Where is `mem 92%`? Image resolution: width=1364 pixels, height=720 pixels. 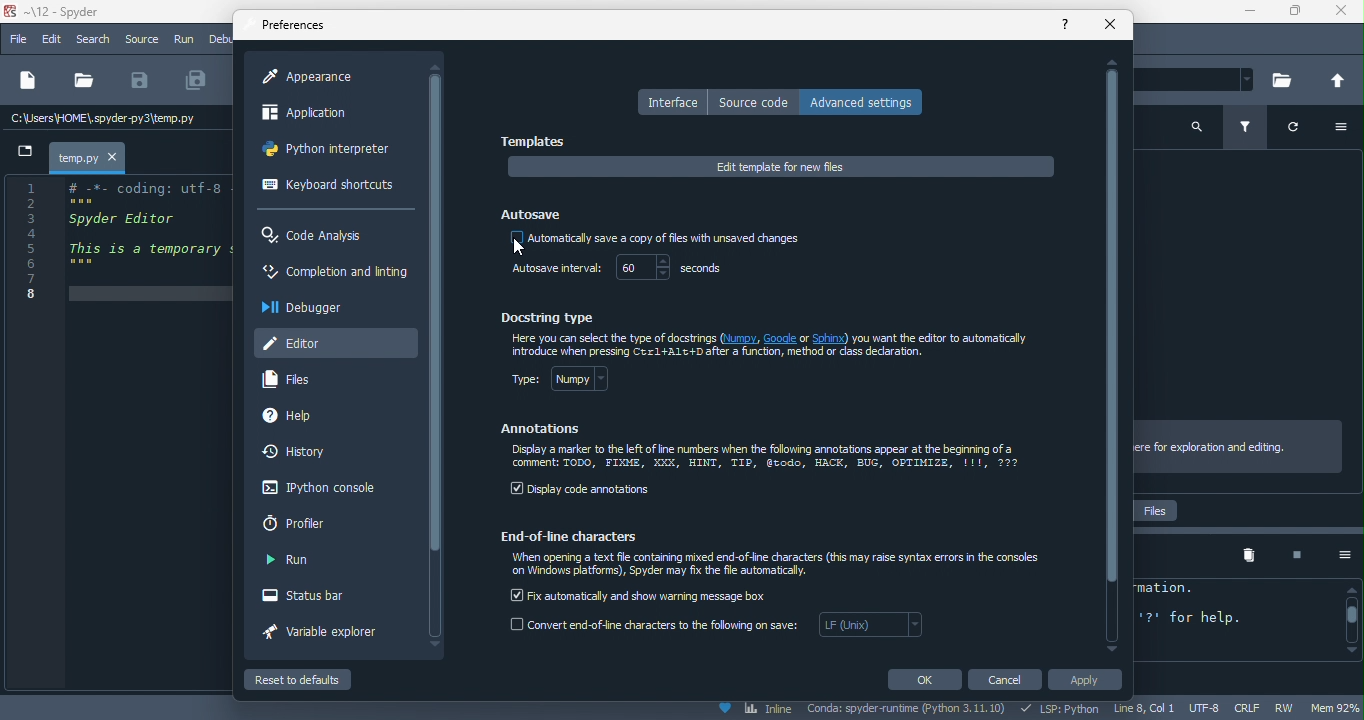
mem 92% is located at coordinates (1337, 707).